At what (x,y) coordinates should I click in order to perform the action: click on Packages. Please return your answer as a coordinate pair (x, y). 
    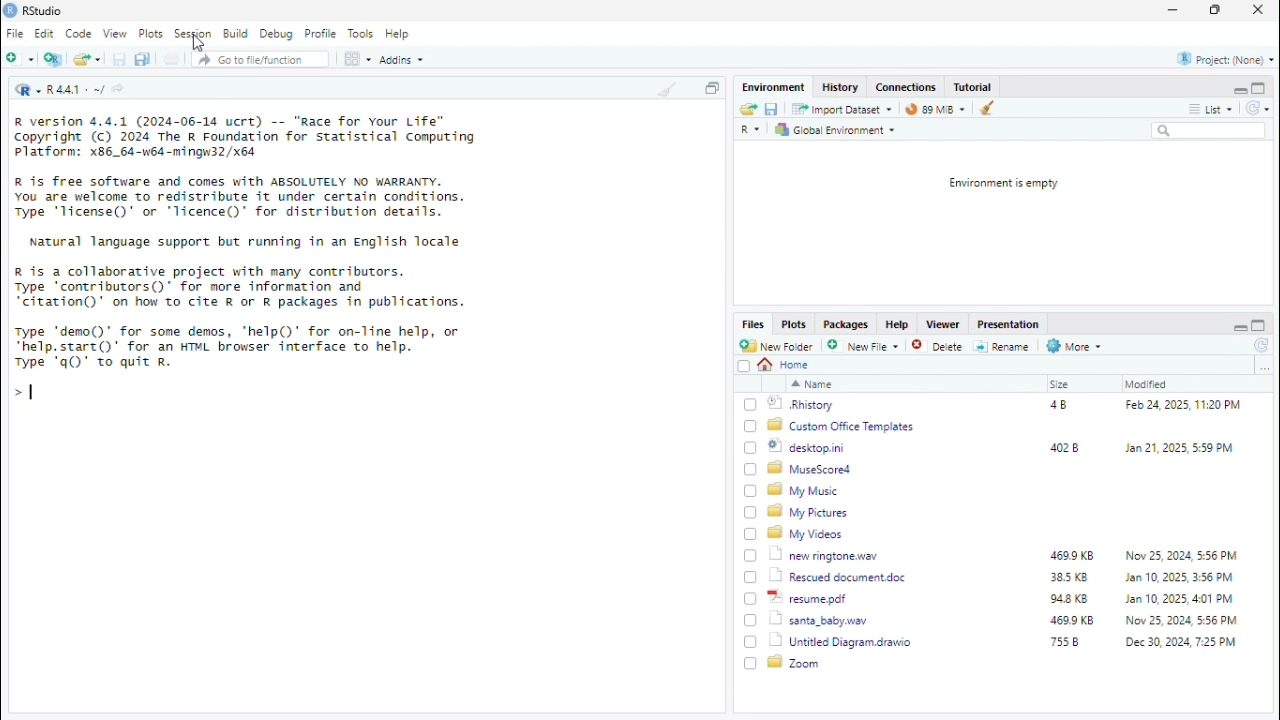
    Looking at the image, I should click on (847, 325).